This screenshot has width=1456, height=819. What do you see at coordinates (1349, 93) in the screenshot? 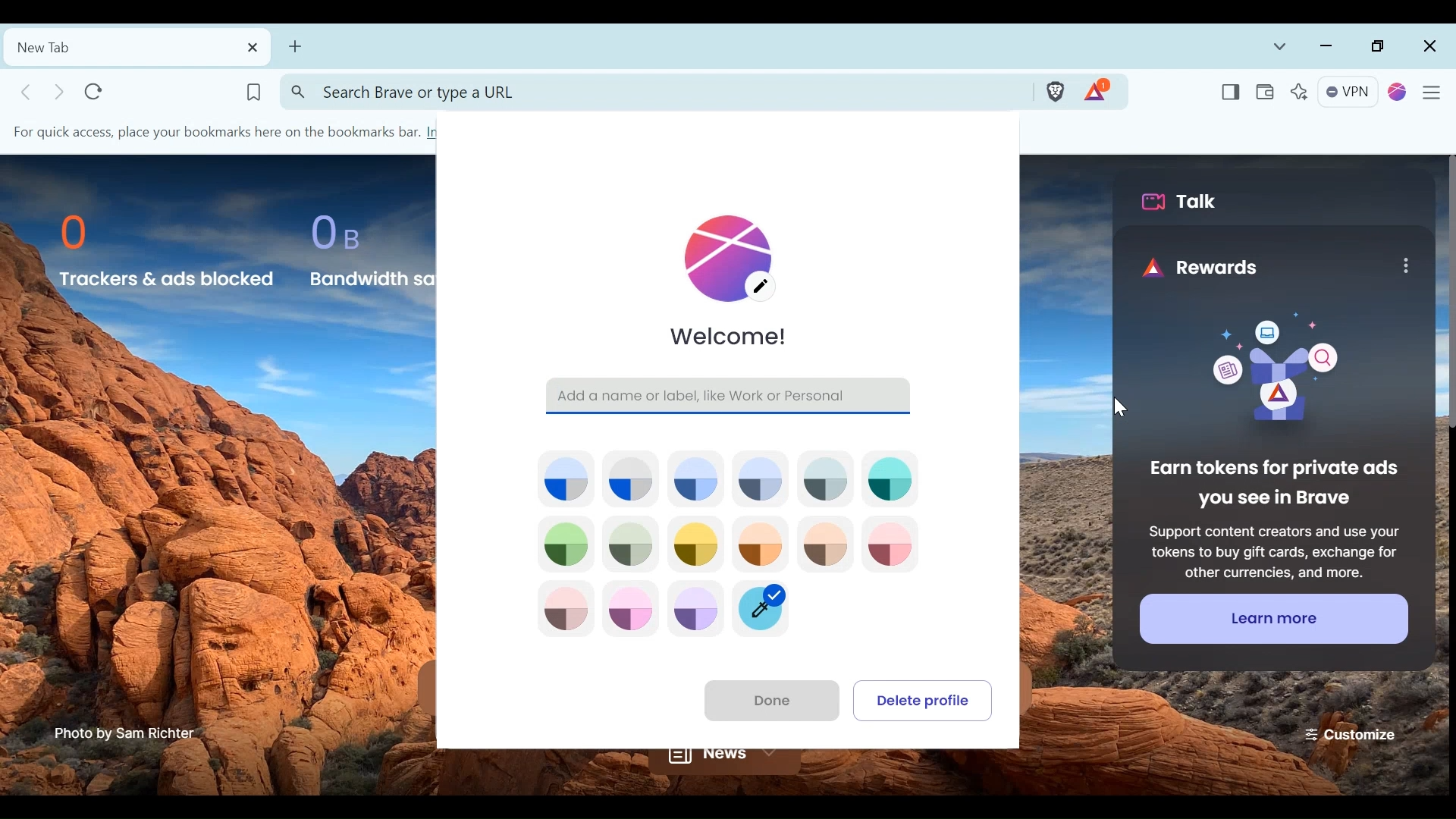
I see `VPN` at bounding box center [1349, 93].